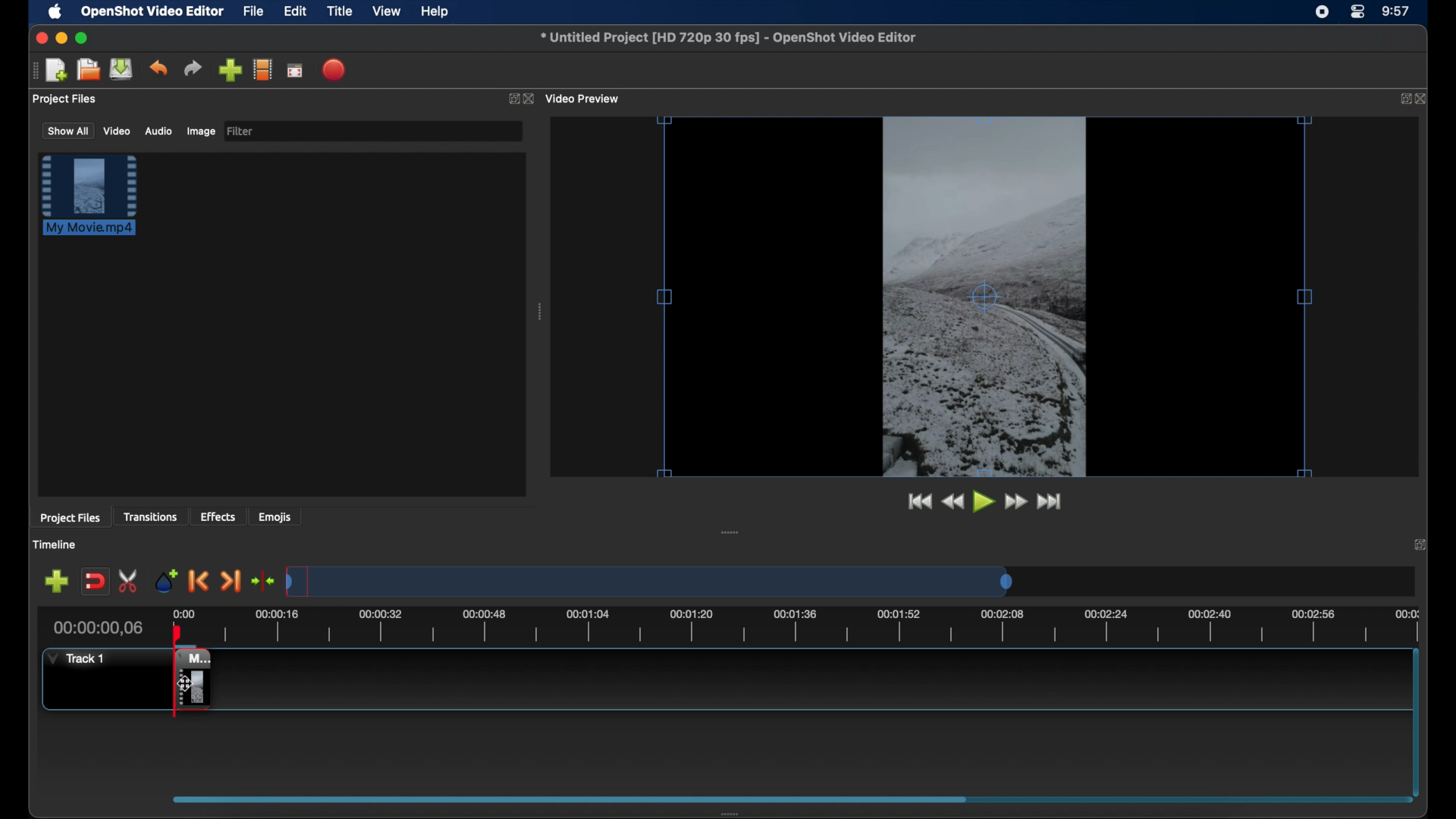  I want to click on image, so click(200, 133).